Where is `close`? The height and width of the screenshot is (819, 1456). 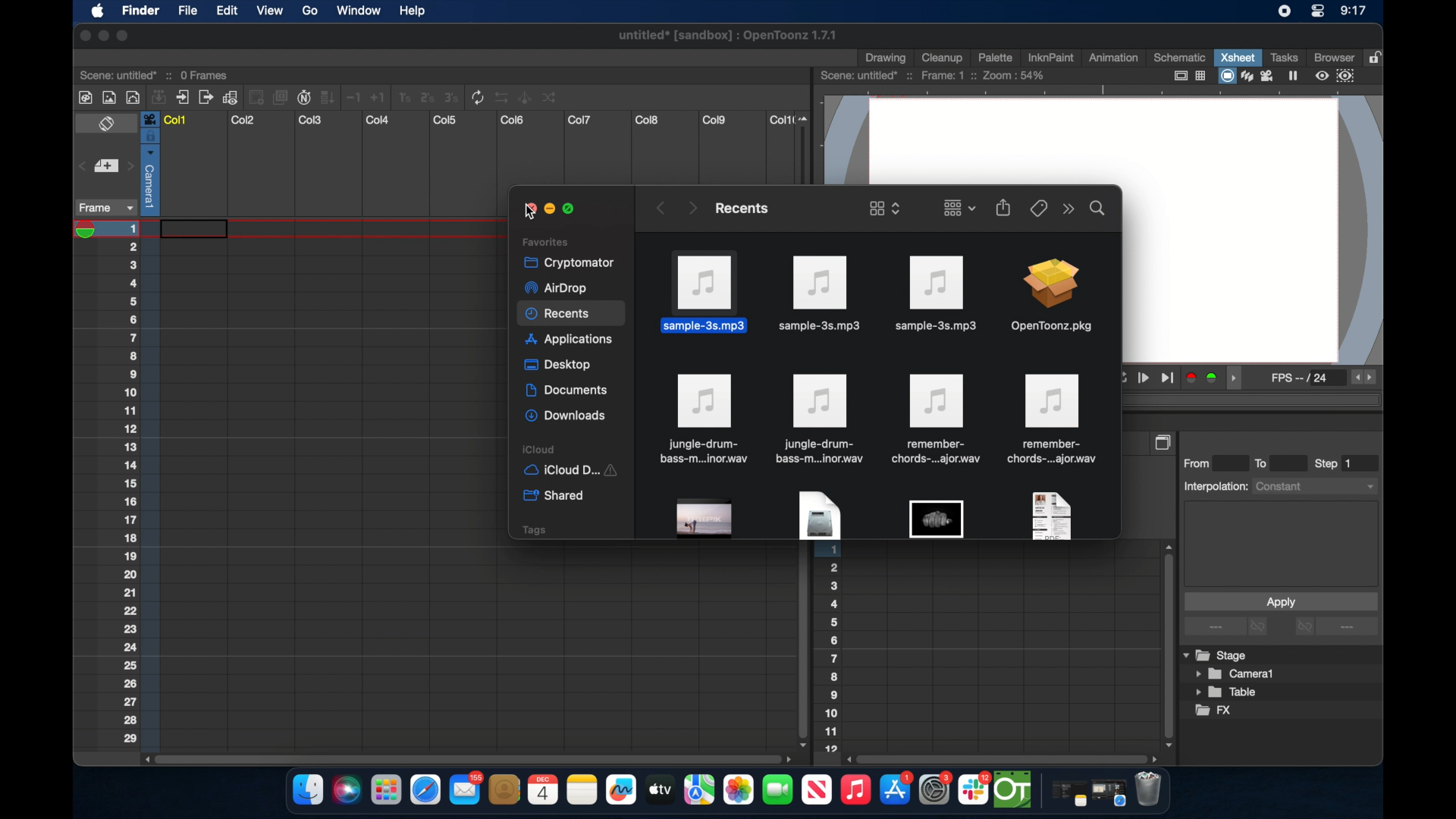
close is located at coordinates (82, 36).